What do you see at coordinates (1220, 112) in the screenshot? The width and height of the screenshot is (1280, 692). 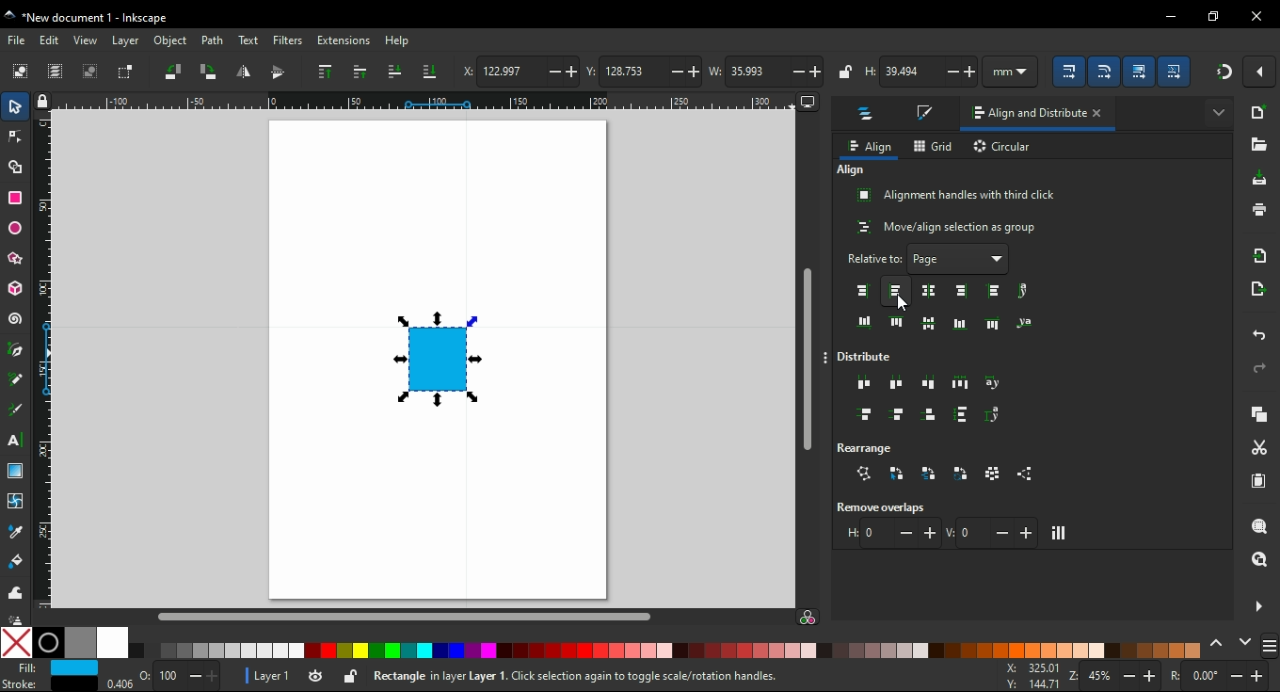 I see `show` at bounding box center [1220, 112].